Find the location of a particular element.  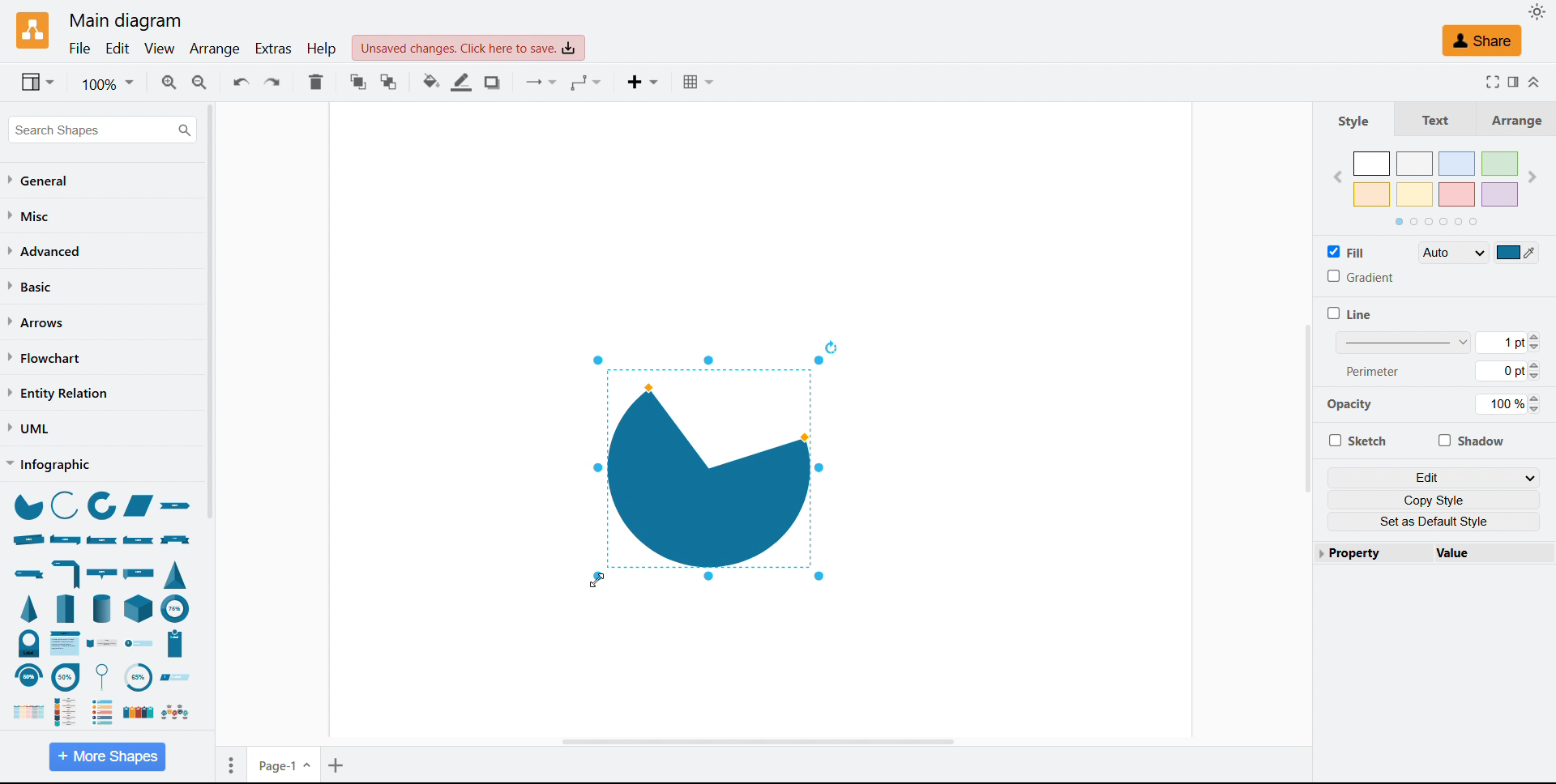

numbered entry is located at coordinates (139, 644).